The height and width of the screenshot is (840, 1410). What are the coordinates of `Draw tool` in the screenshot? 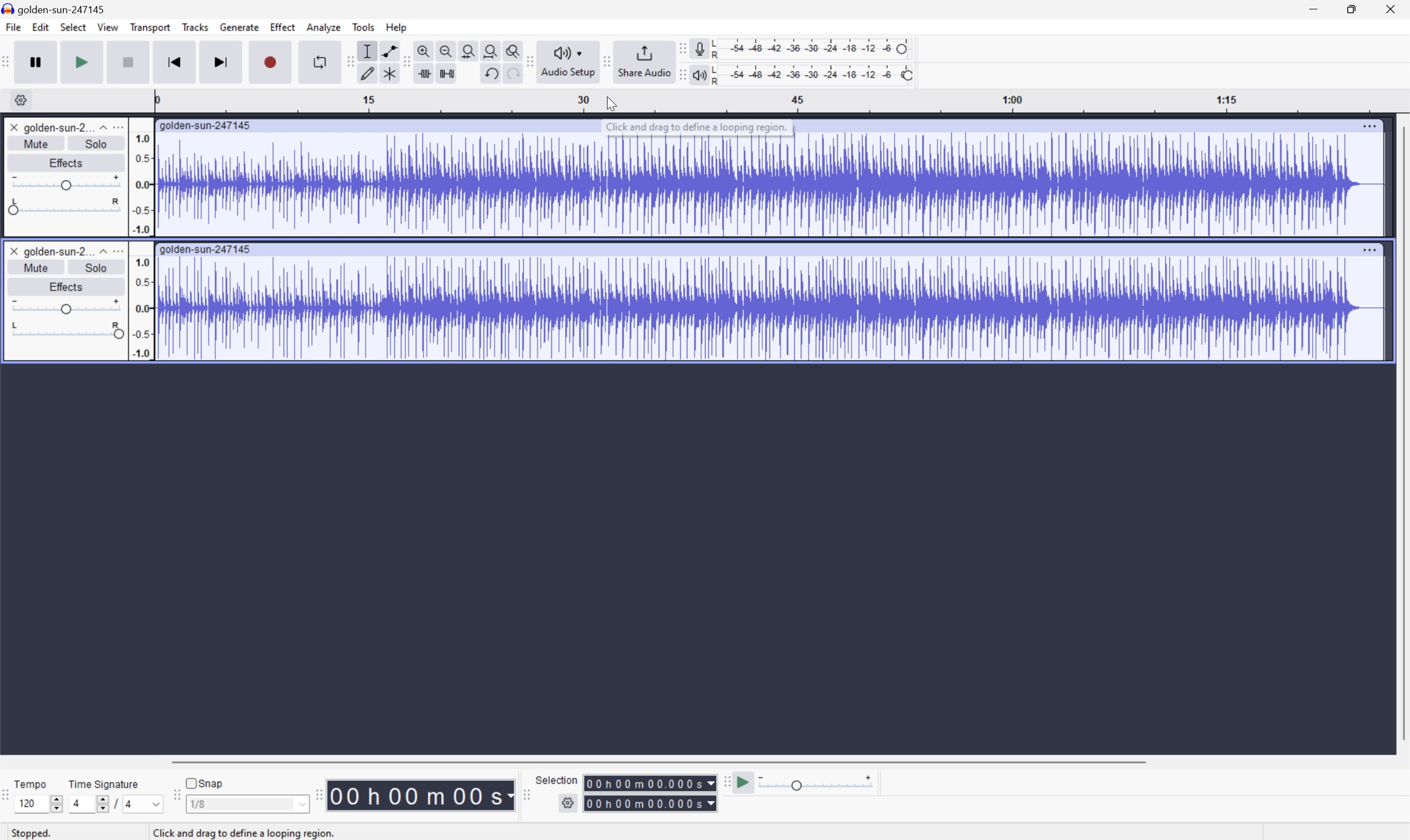 It's located at (368, 74).